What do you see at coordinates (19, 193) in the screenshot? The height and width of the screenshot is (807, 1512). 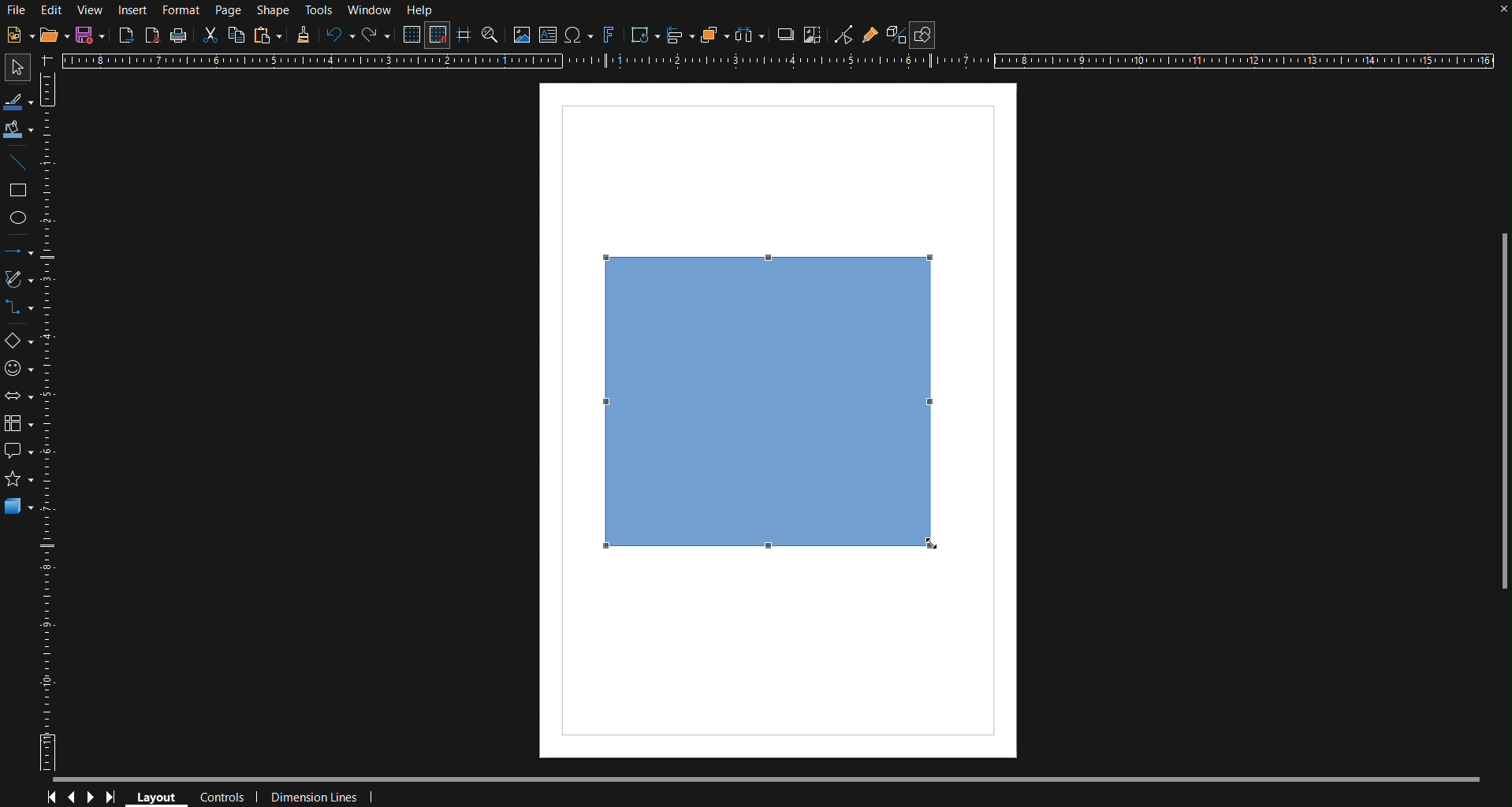 I see `Rectangle` at bounding box center [19, 193].